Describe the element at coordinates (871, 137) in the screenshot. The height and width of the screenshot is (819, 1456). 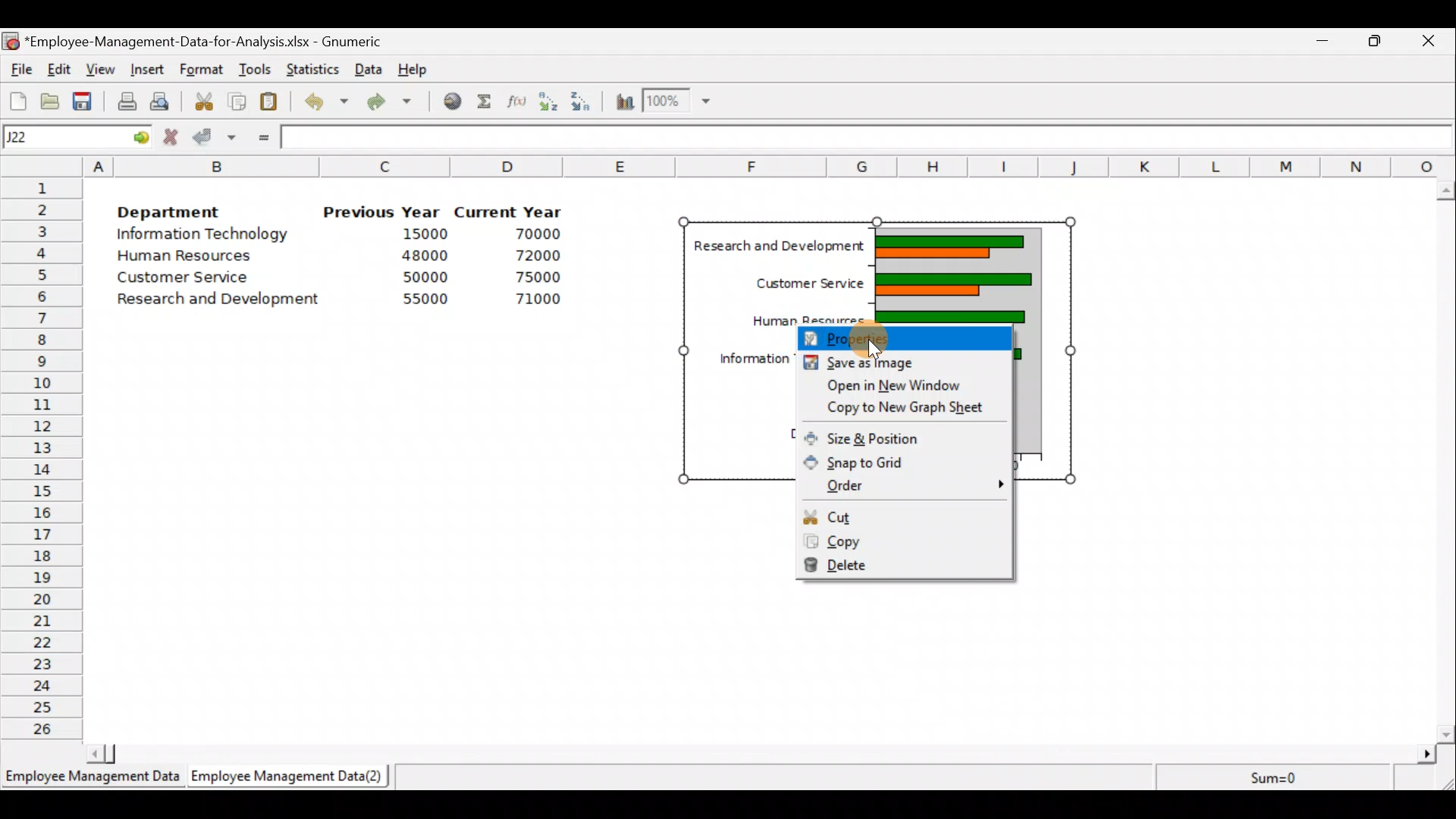
I see `Formula bar` at that location.